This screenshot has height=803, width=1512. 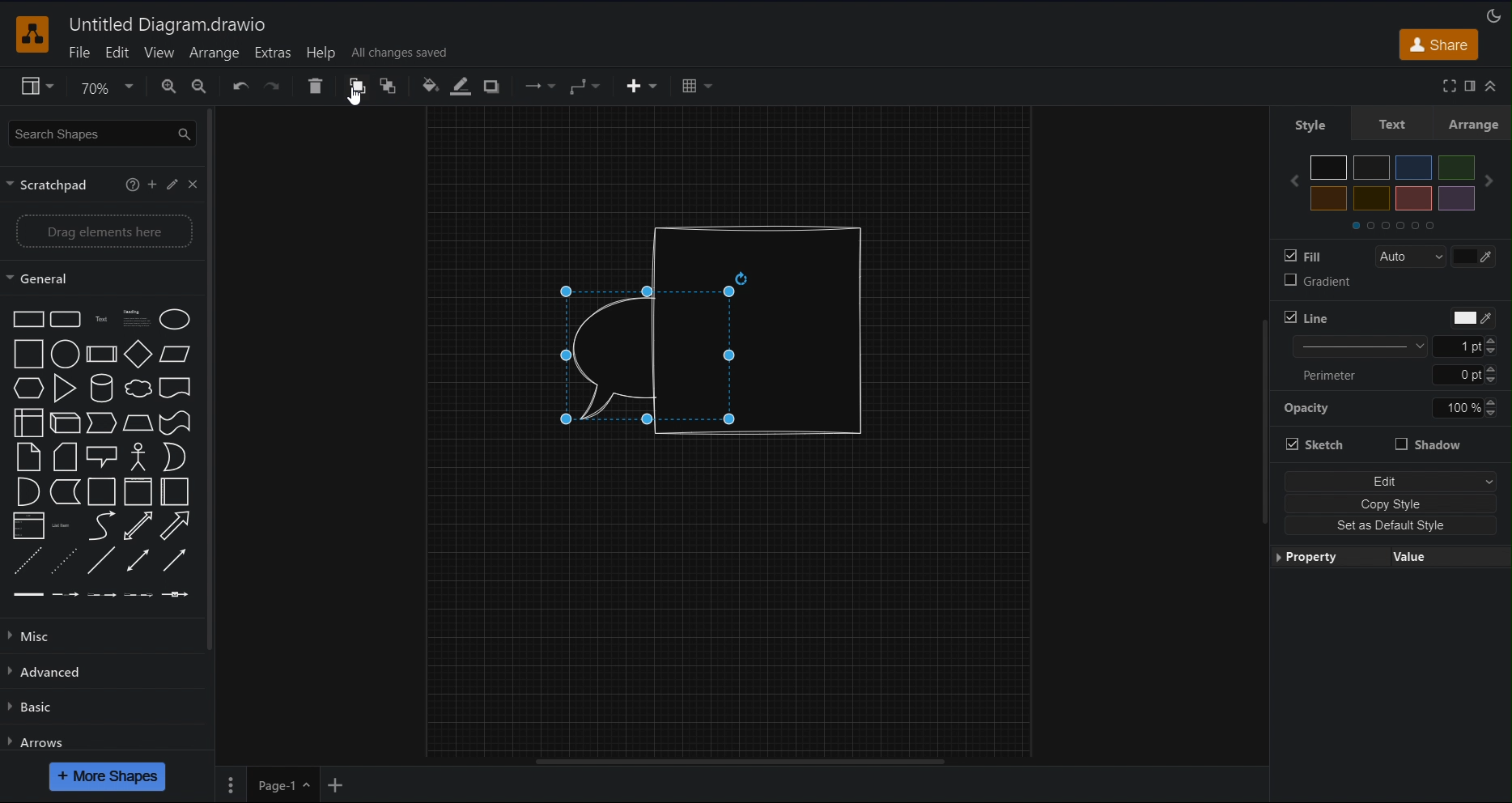 What do you see at coordinates (239, 86) in the screenshot?
I see `Undo` at bounding box center [239, 86].